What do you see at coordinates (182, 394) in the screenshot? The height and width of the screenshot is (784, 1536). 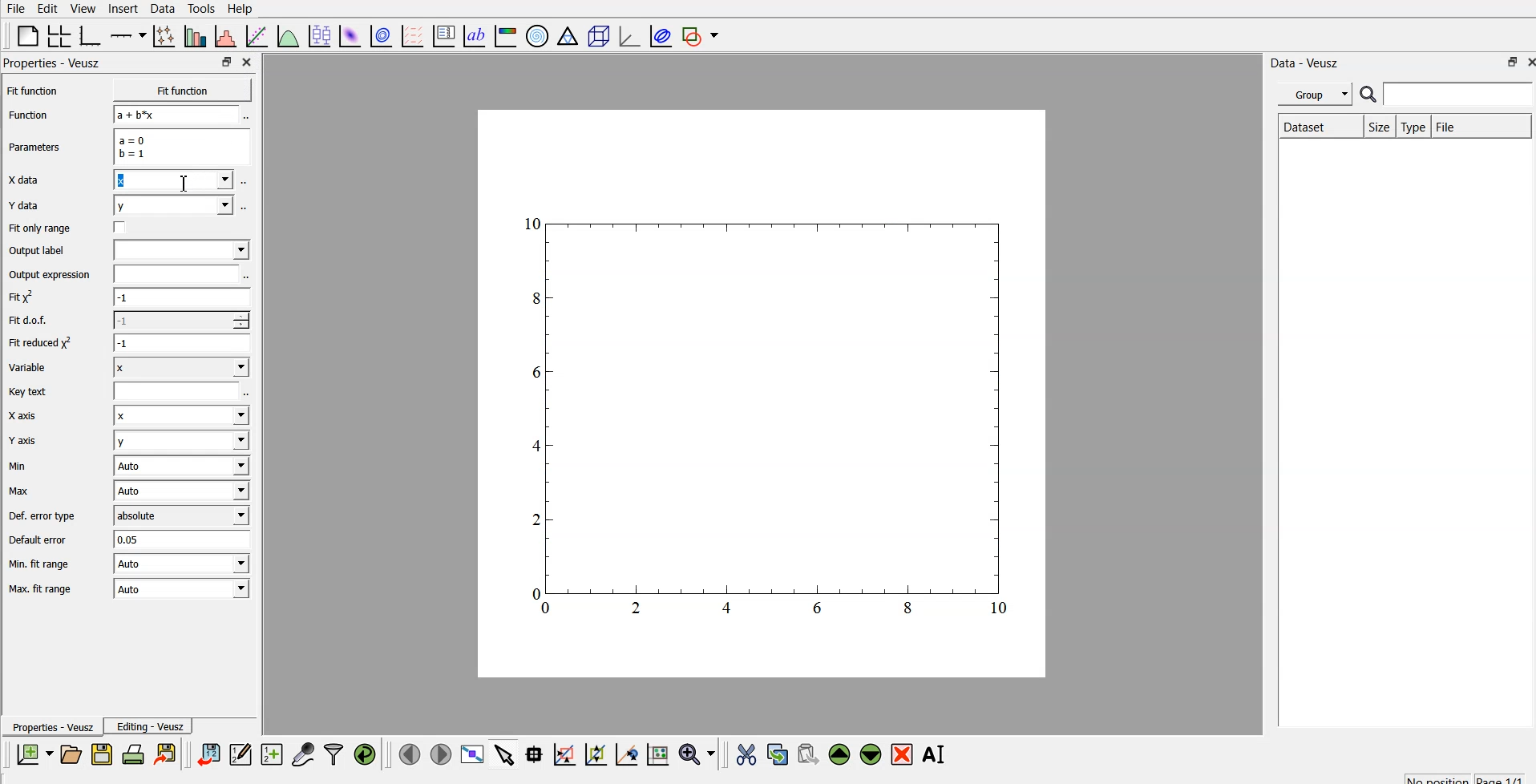 I see `entry text` at bounding box center [182, 394].